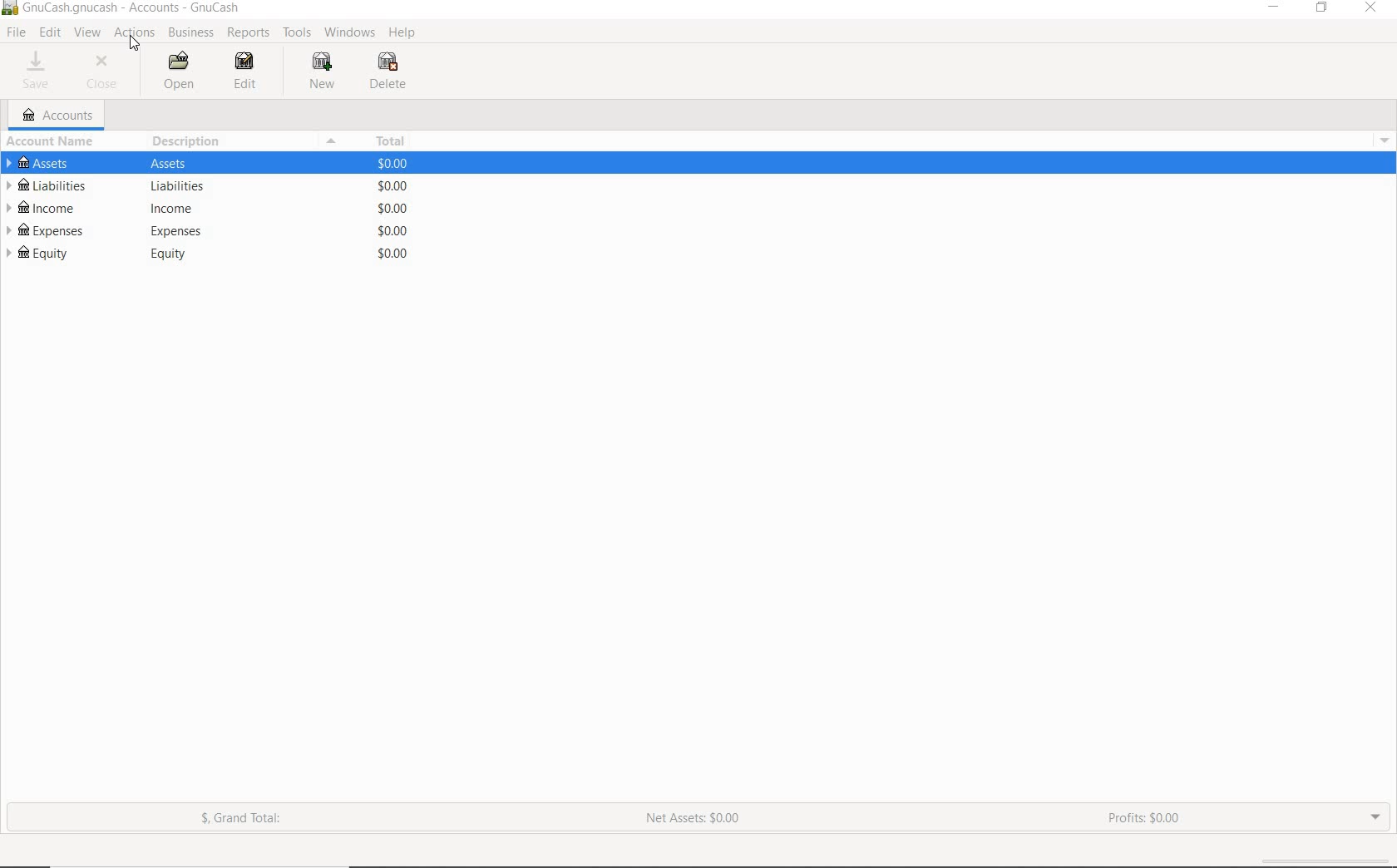  What do you see at coordinates (1145, 820) in the screenshot?
I see `PROFITS` at bounding box center [1145, 820].